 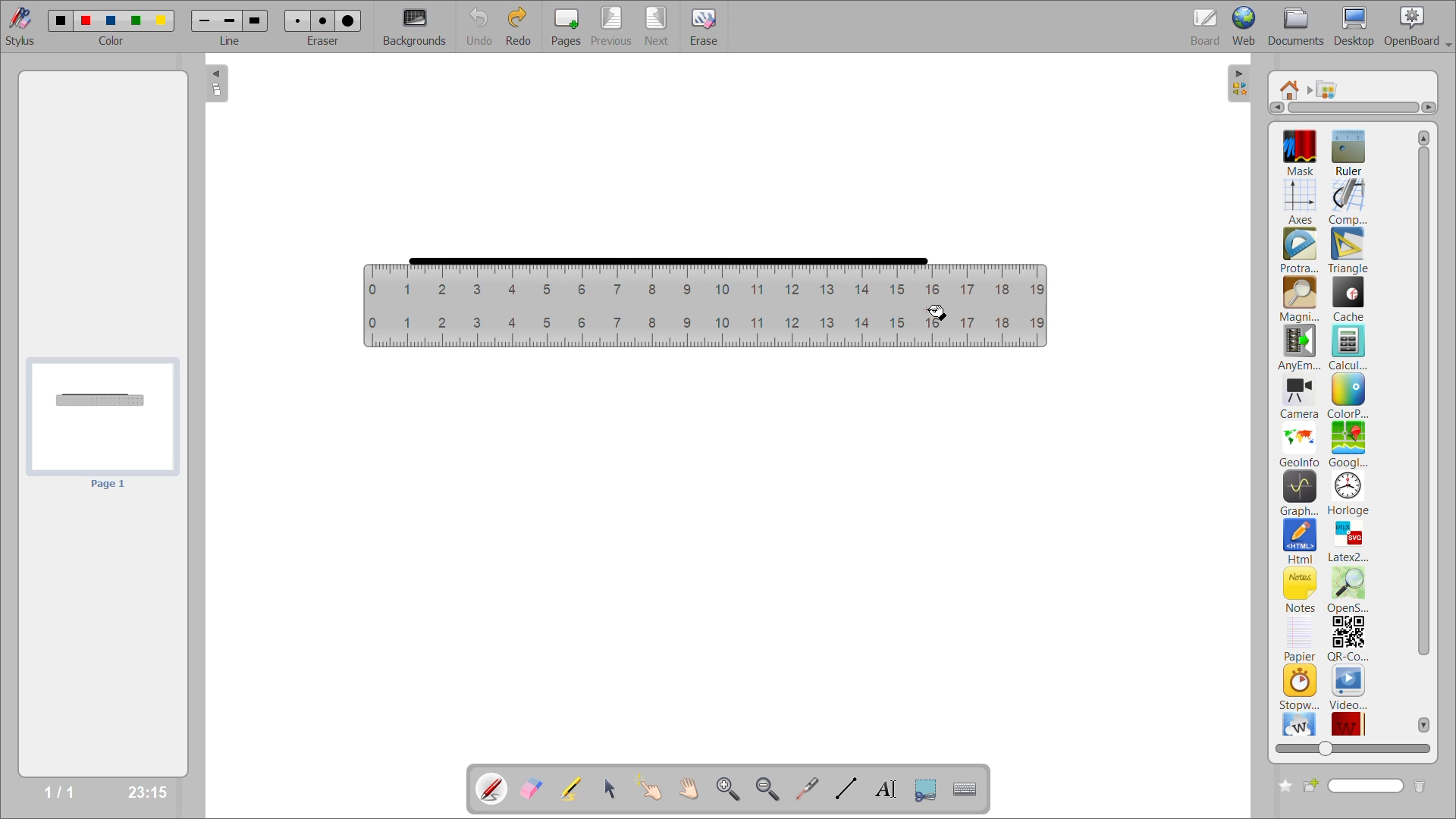 What do you see at coordinates (612, 25) in the screenshot?
I see `previous` at bounding box center [612, 25].